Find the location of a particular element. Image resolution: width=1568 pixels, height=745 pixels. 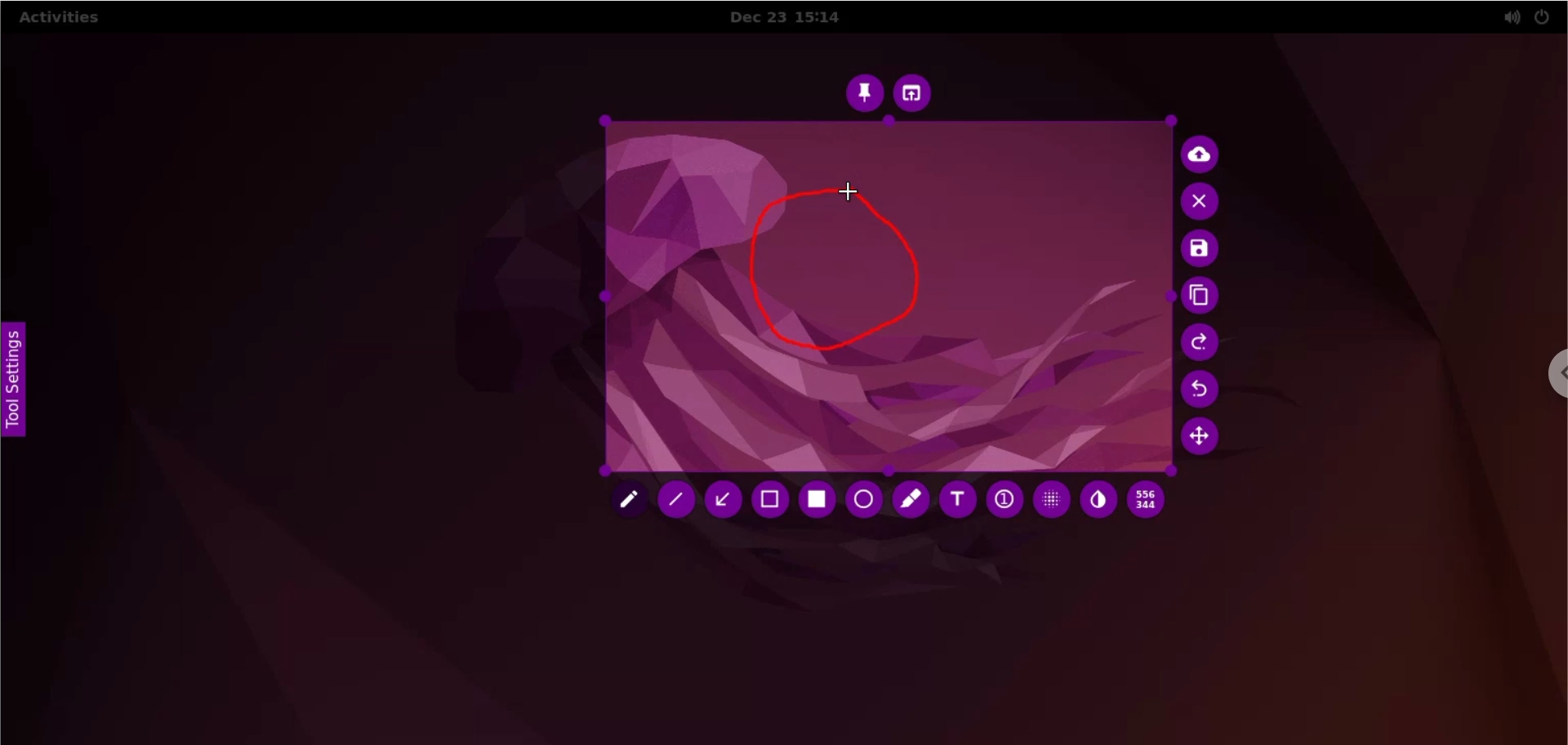

pin is located at coordinates (863, 93).